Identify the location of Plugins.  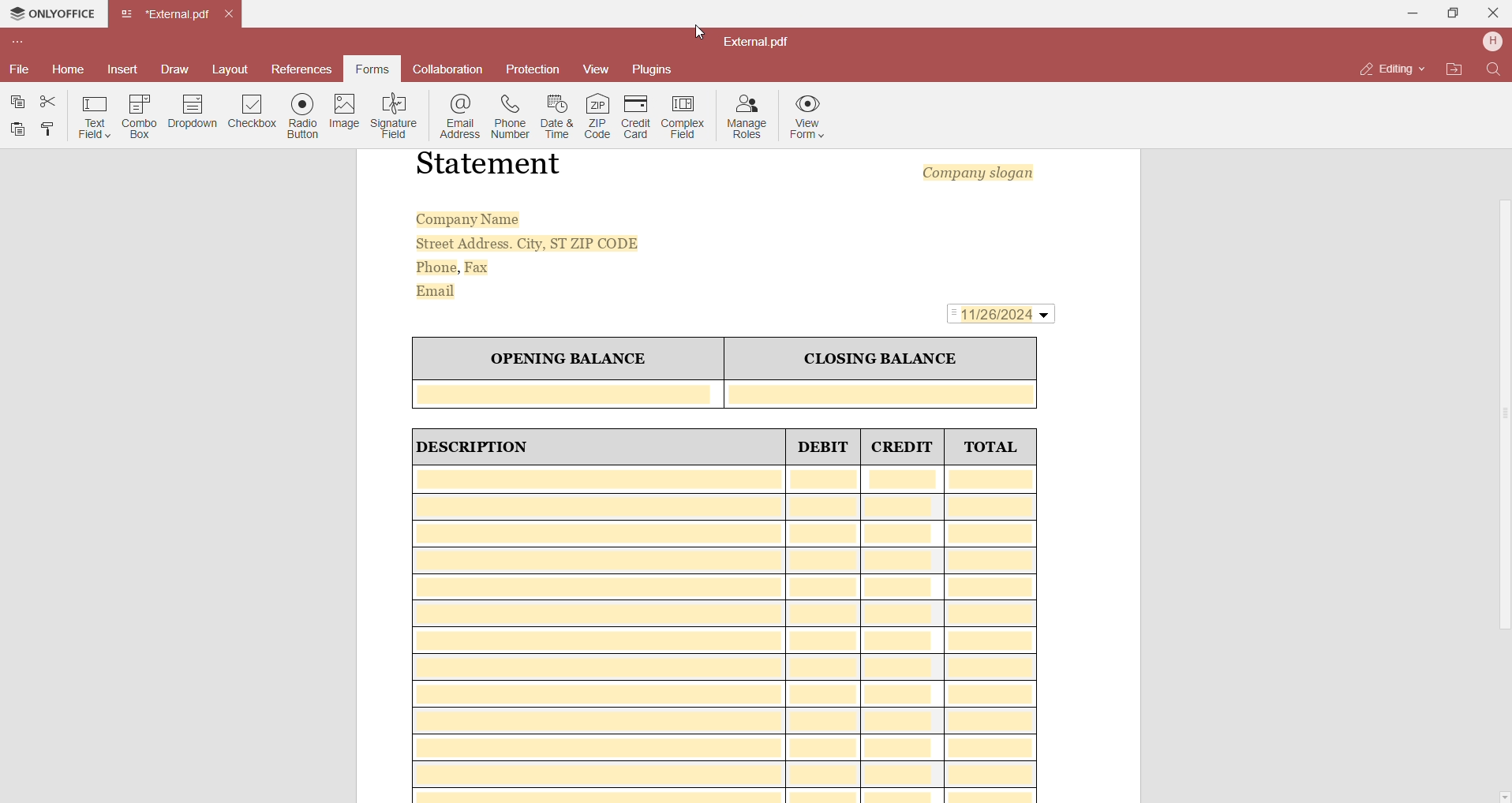
(658, 69).